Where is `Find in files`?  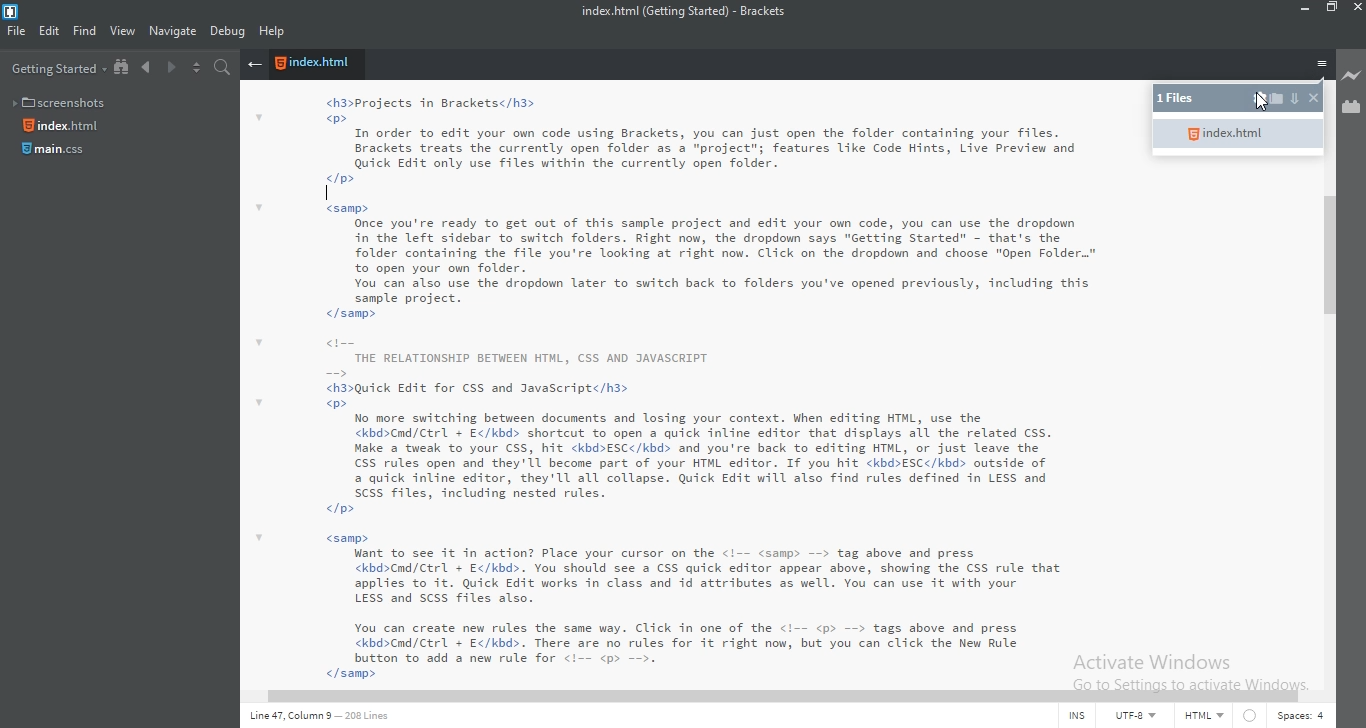
Find in files is located at coordinates (225, 69).